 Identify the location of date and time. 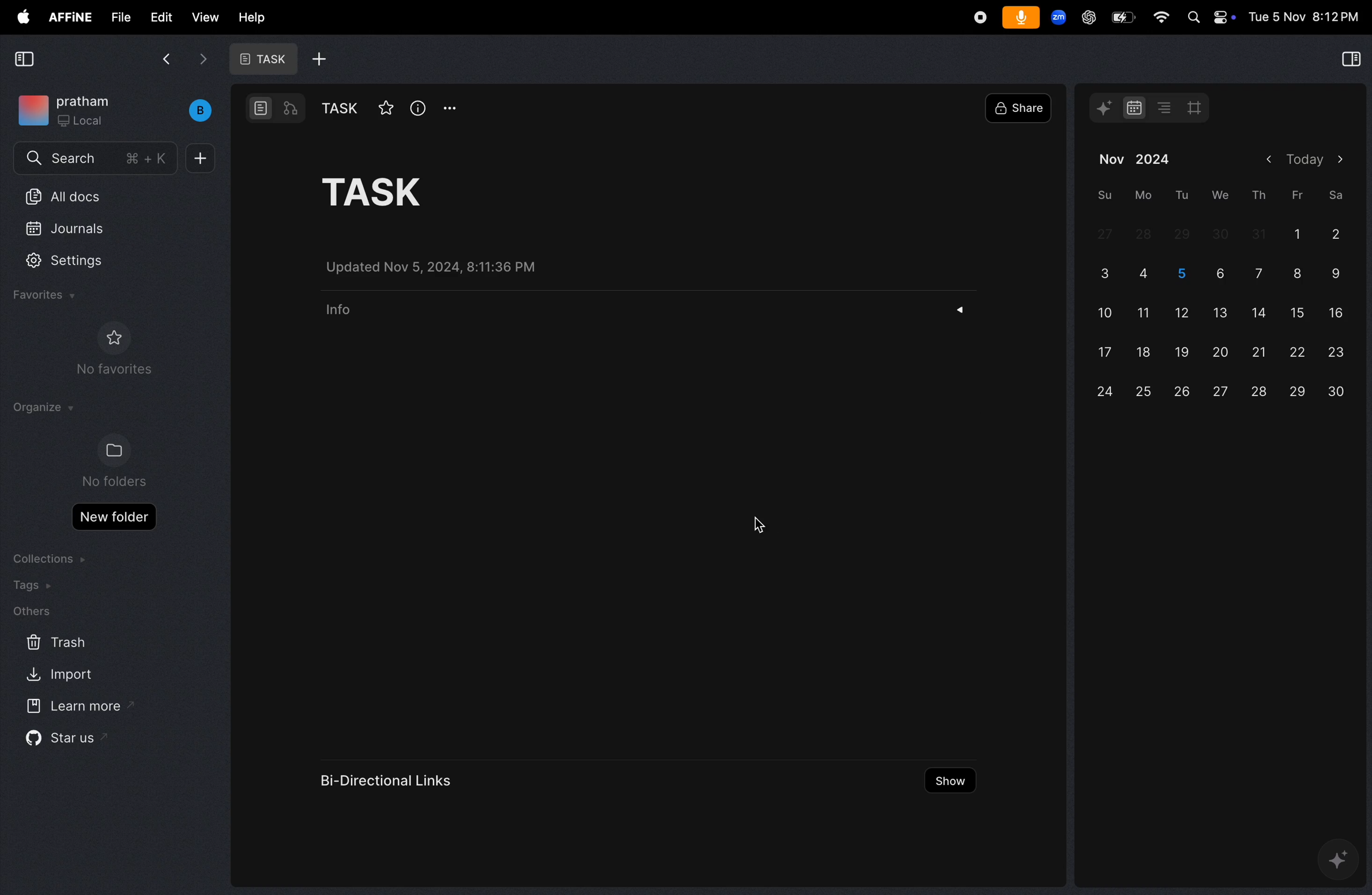
(1304, 17).